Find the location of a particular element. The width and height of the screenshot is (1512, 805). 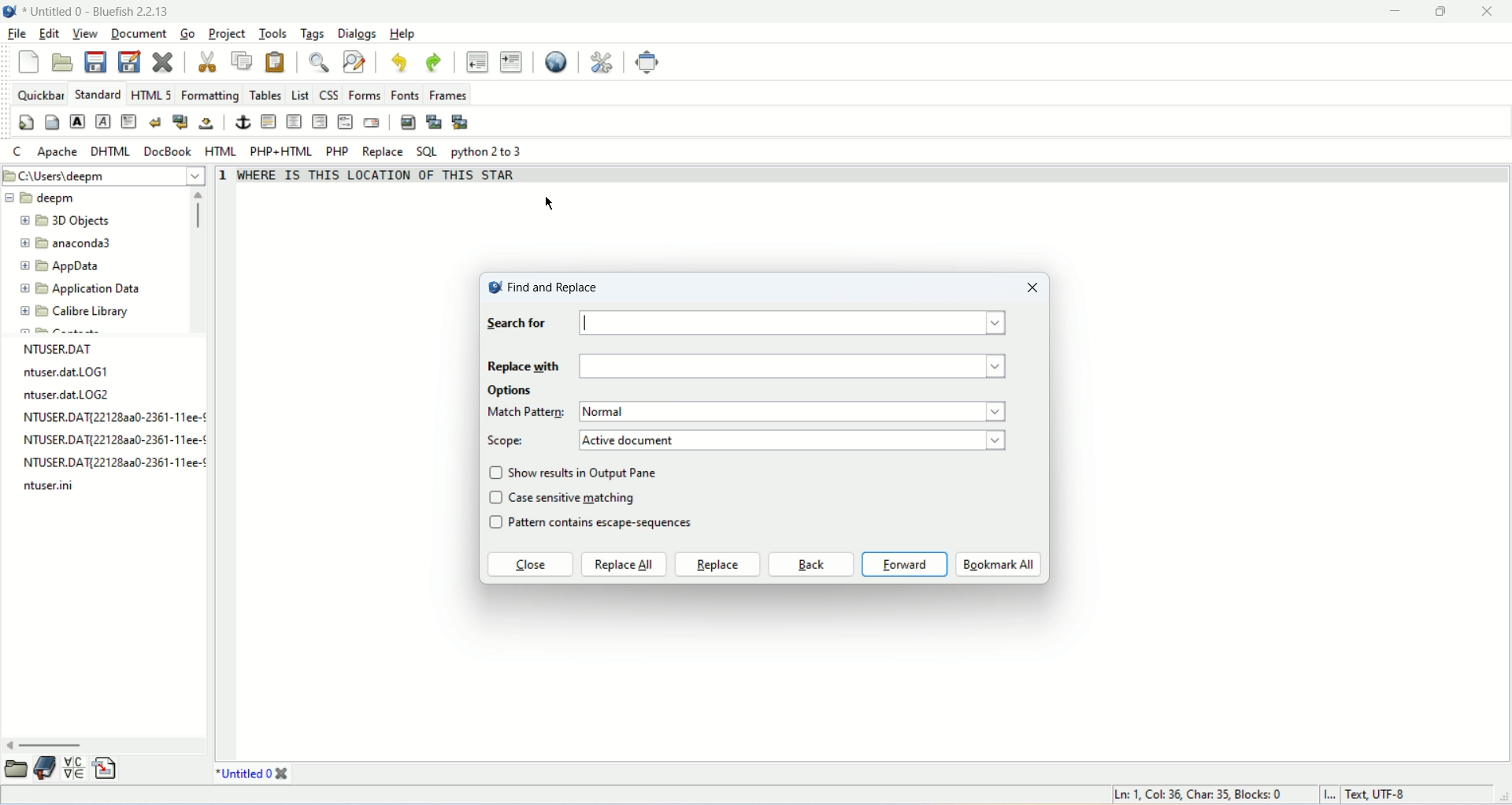

match pattern is located at coordinates (797, 412).